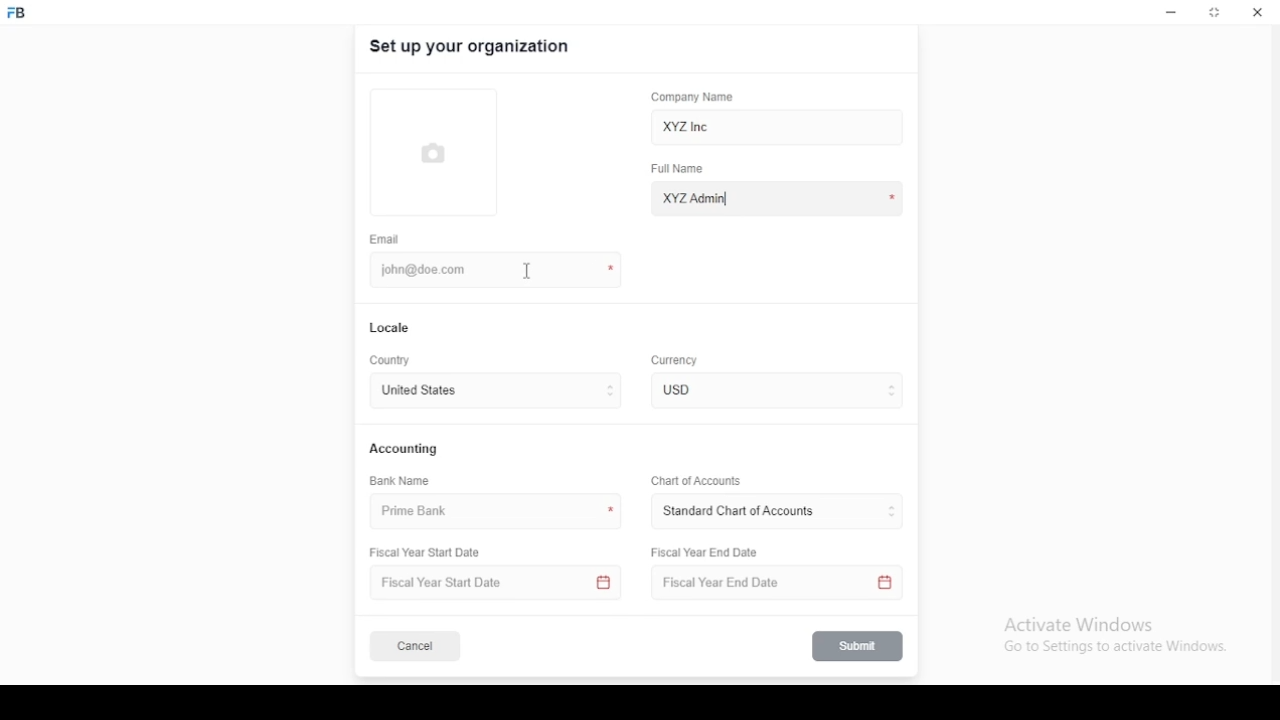 The height and width of the screenshot is (720, 1280). What do you see at coordinates (1216, 14) in the screenshot?
I see `restore` at bounding box center [1216, 14].